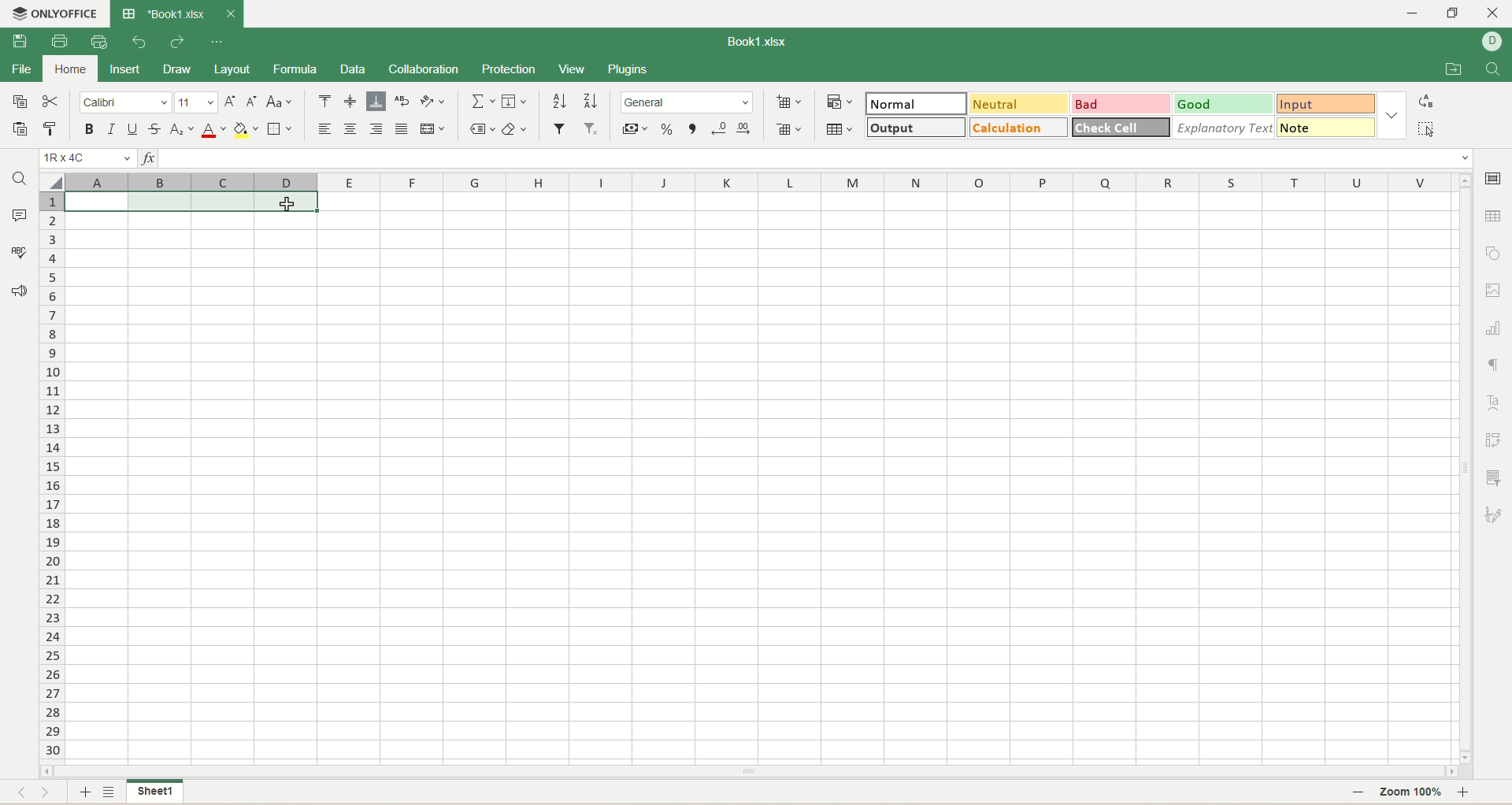  I want to click on align middle, so click(353, 102).